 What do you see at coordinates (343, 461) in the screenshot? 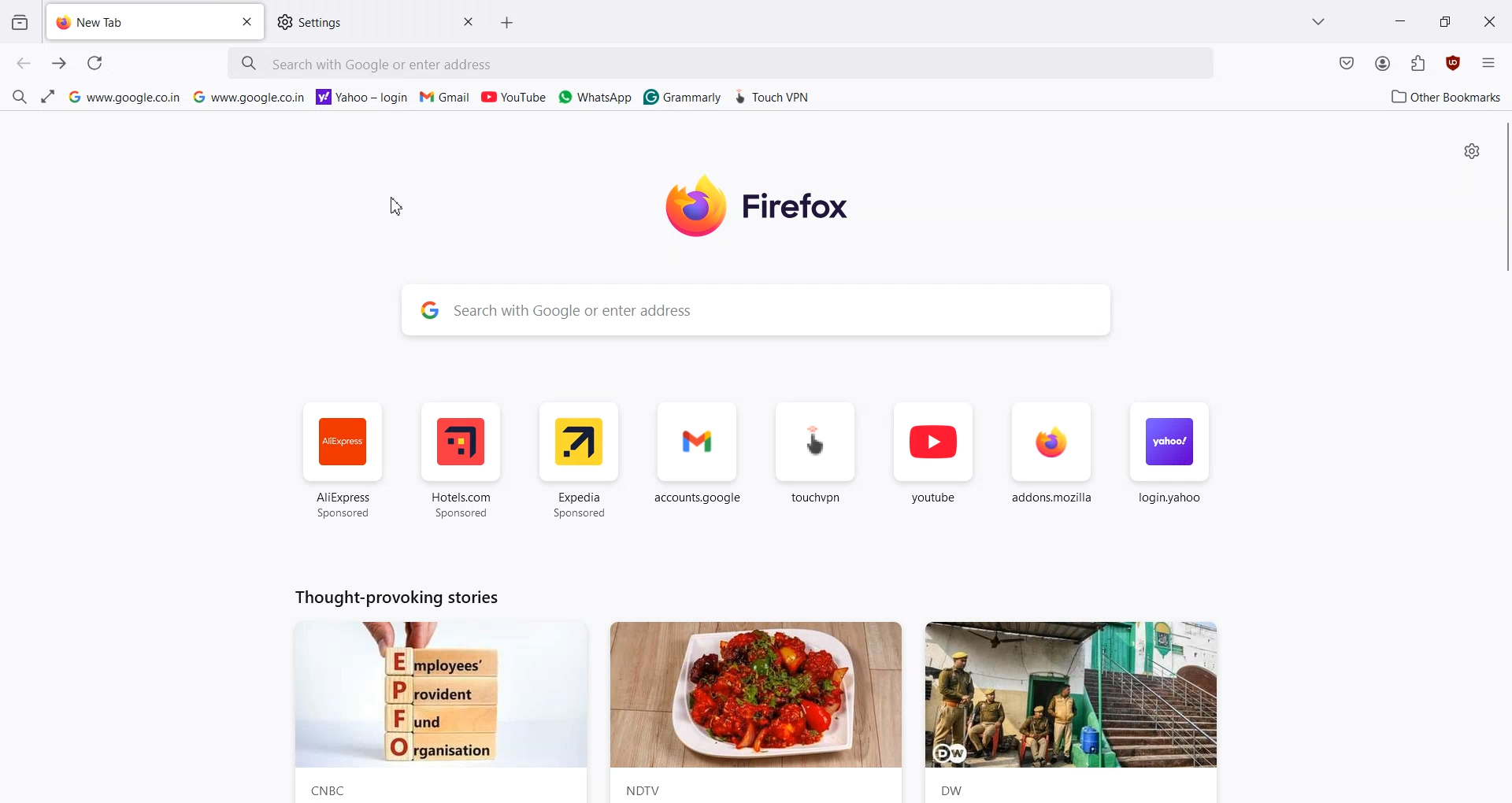
I see `AliExpress Sponsored` at bounding box center [343, 461].